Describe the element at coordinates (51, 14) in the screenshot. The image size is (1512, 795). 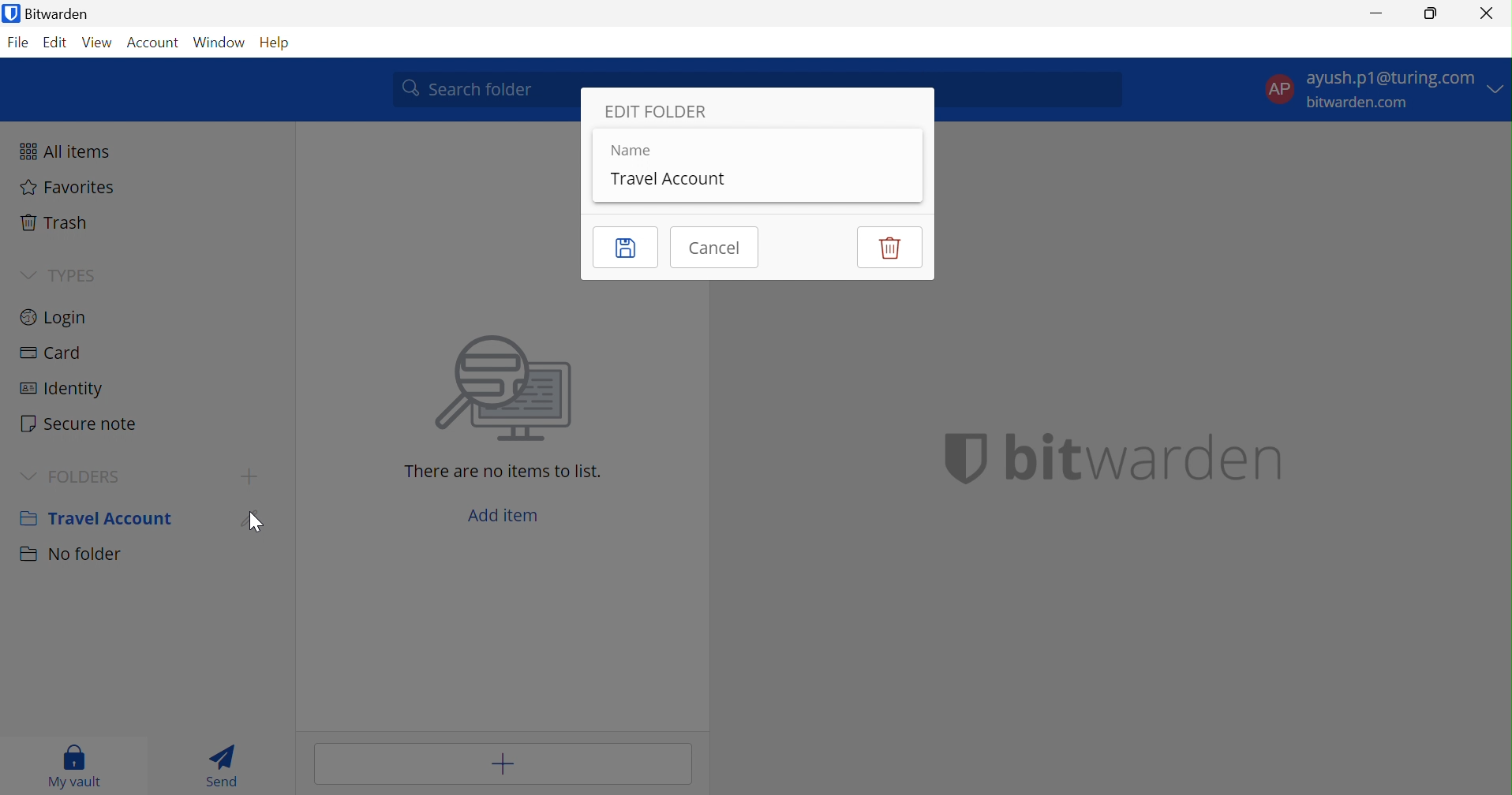
I see `Bitwarden` at that location.